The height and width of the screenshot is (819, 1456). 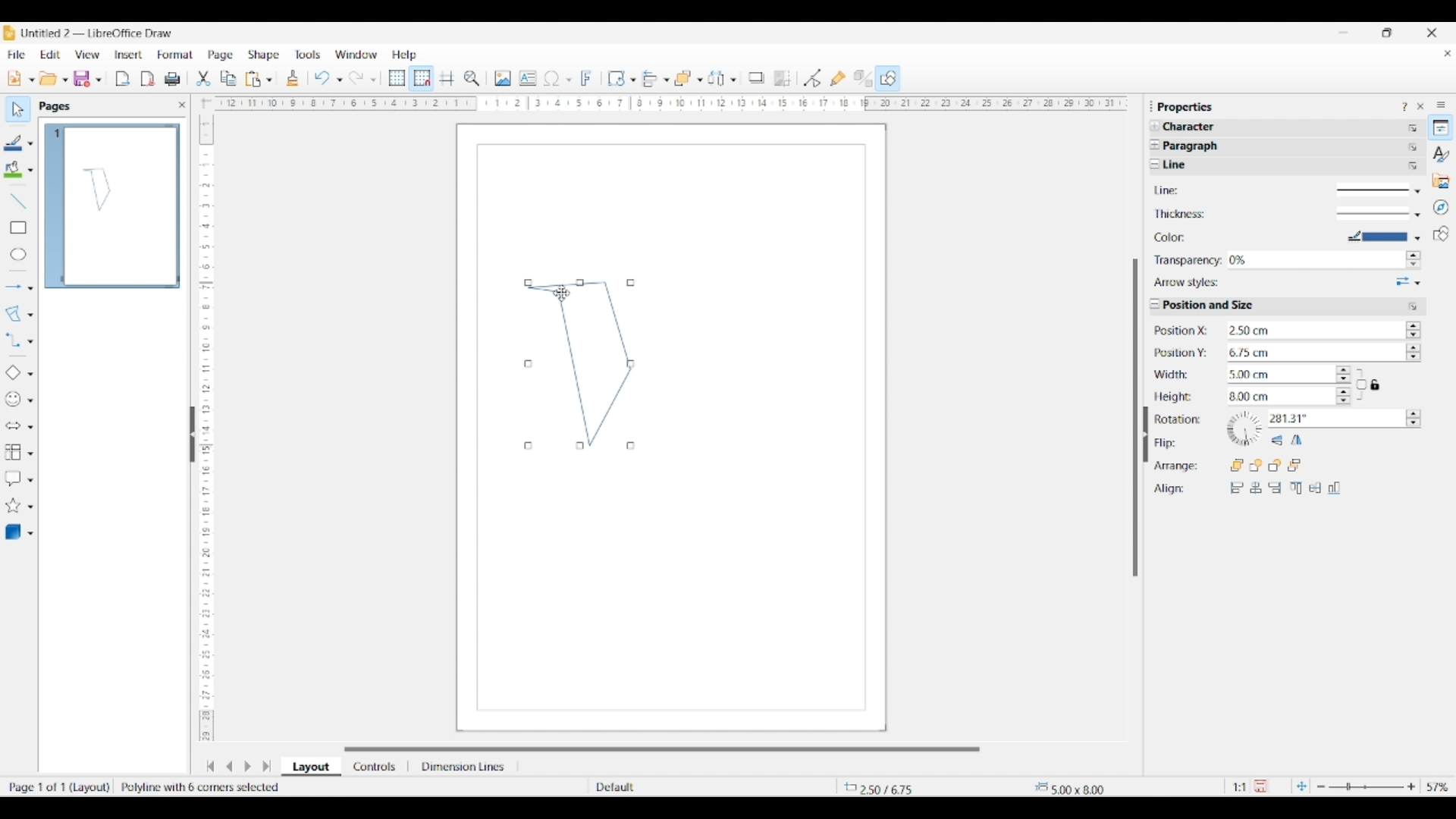 I want to click on Rectangle, so click(x=18, y=227).